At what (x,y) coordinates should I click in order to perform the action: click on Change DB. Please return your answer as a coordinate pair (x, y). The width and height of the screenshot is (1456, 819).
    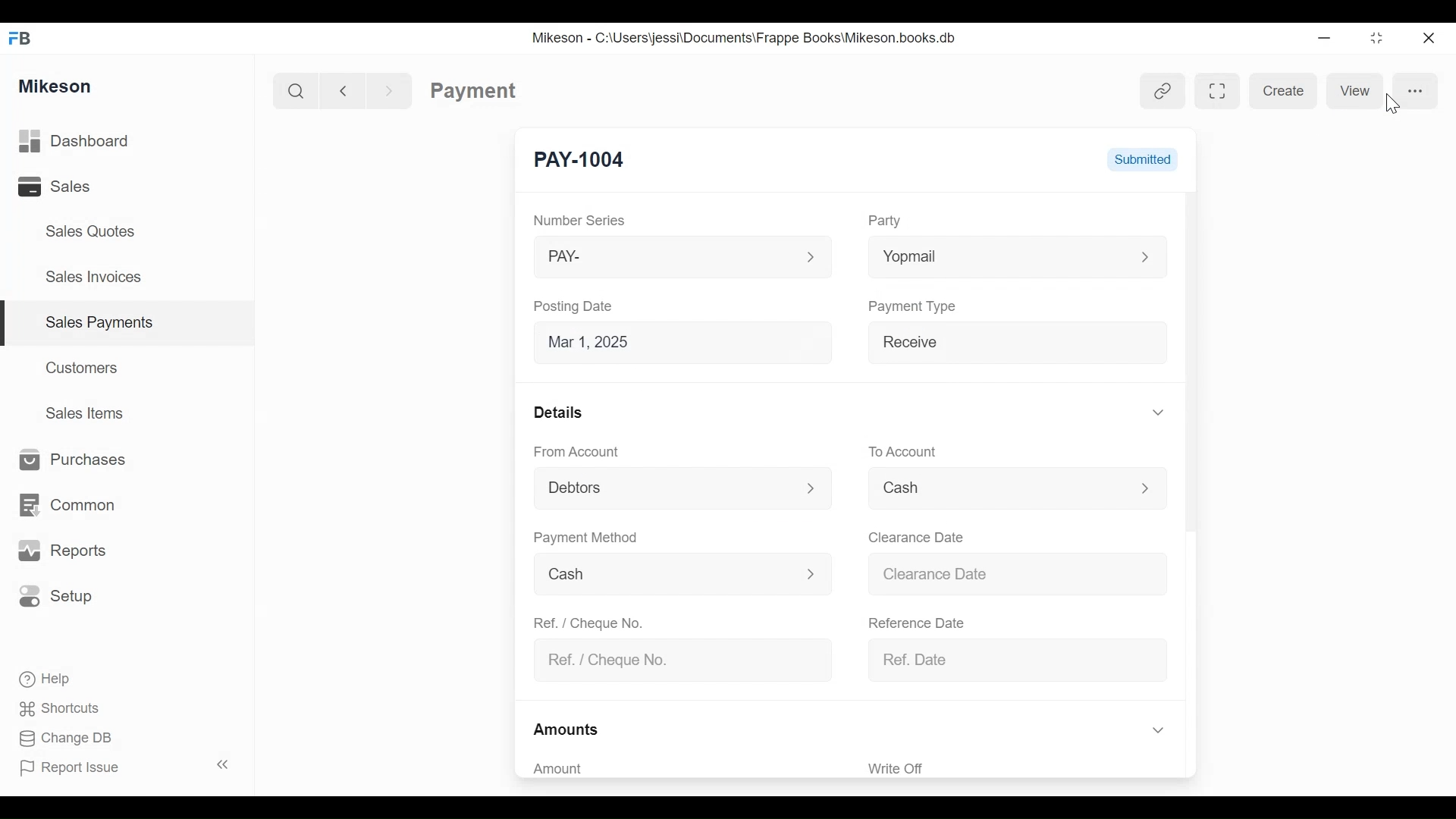
    Looking at the image, I should click on (70, 739).